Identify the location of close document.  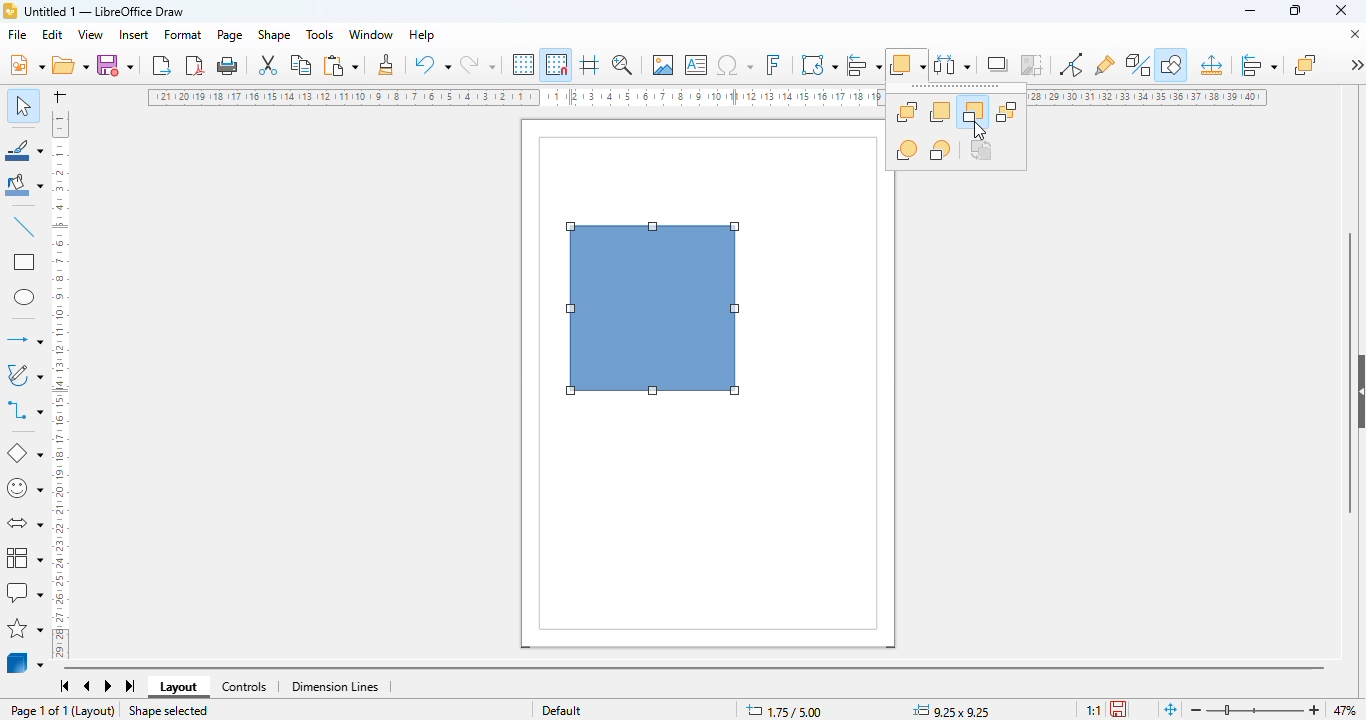
(1354, 34).